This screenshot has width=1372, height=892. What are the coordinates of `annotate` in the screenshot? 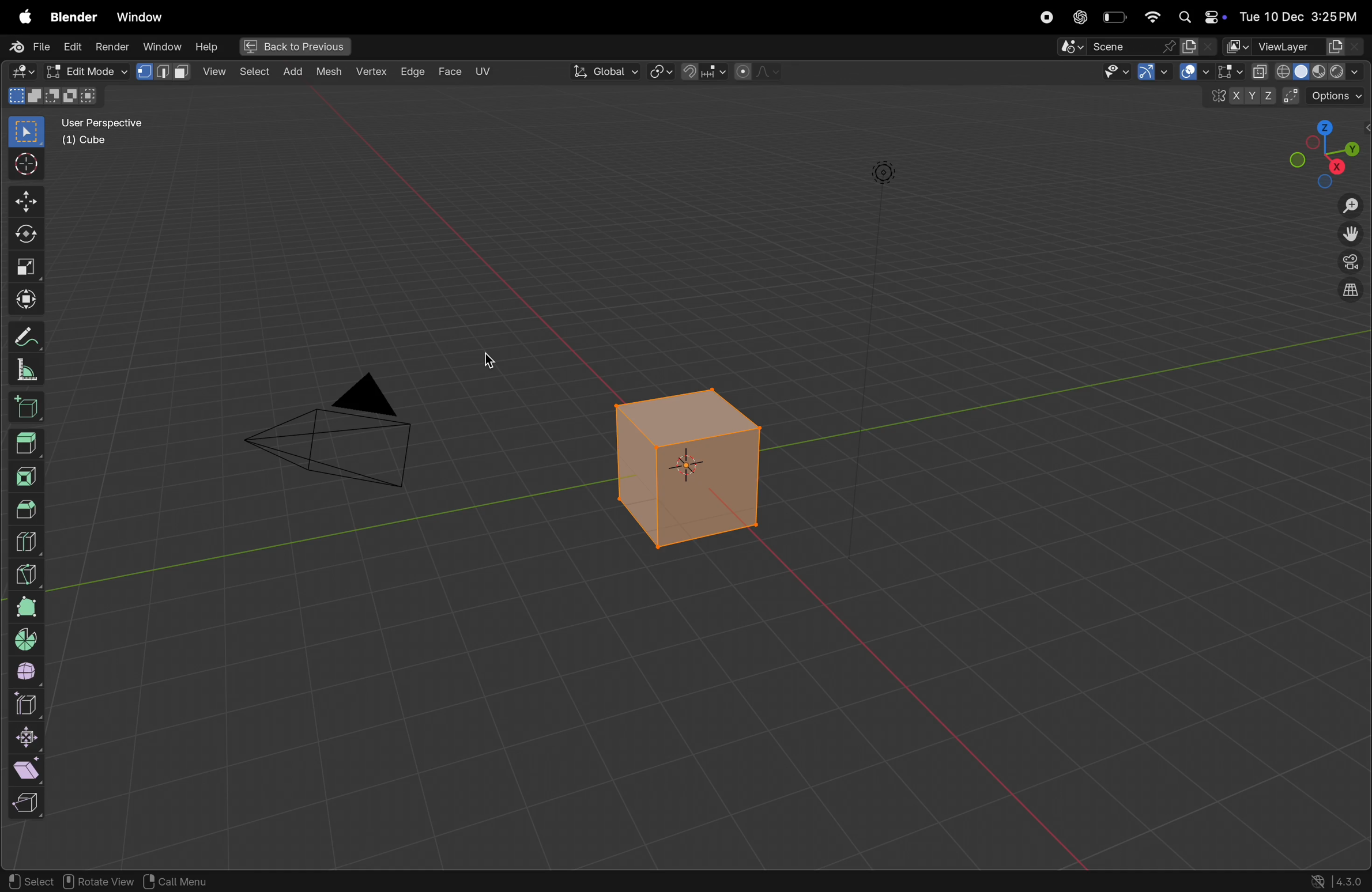 It's located at (25, 339).